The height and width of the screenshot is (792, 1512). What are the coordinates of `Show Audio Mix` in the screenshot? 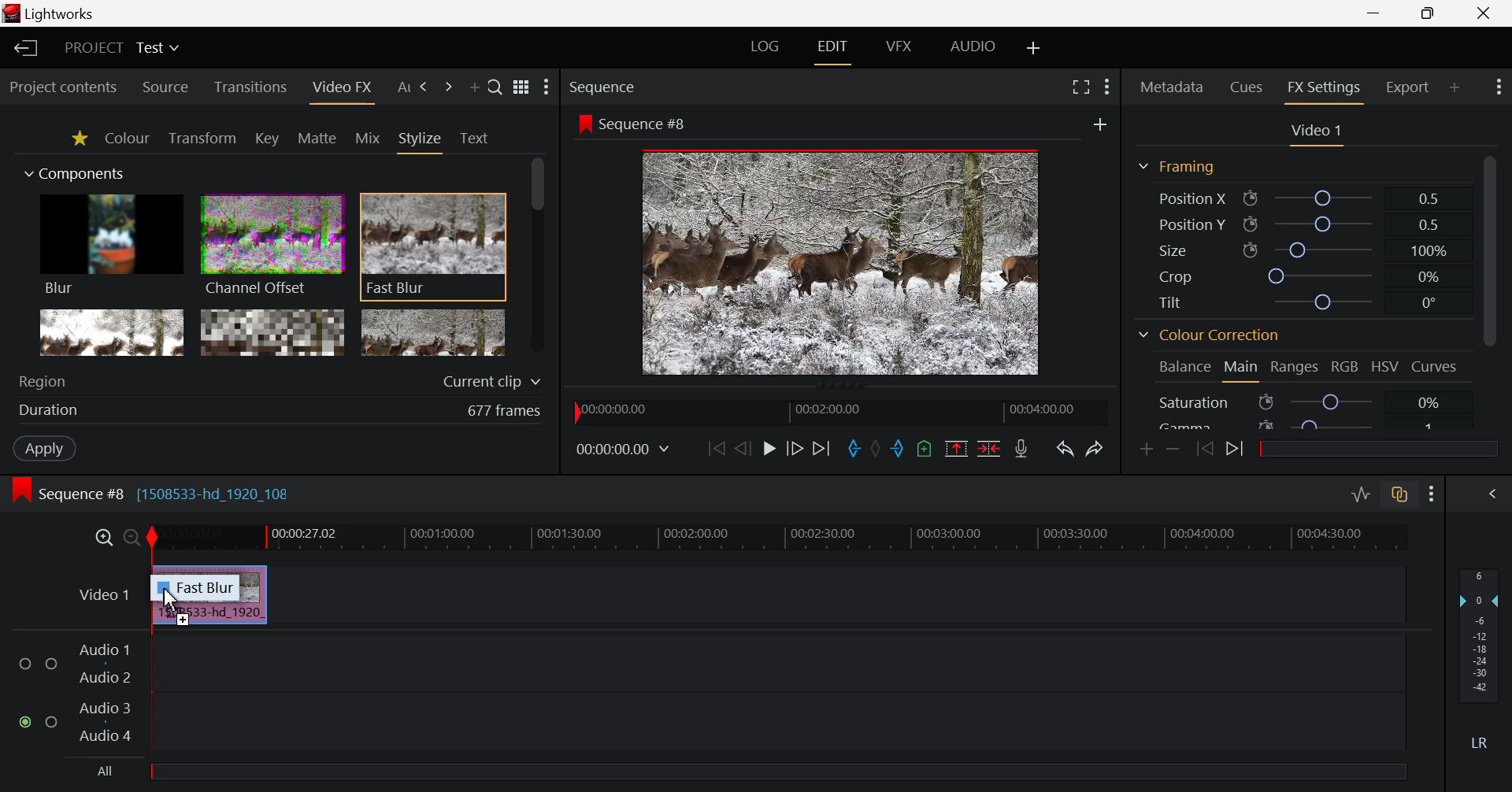 It's located at (1492, 493).